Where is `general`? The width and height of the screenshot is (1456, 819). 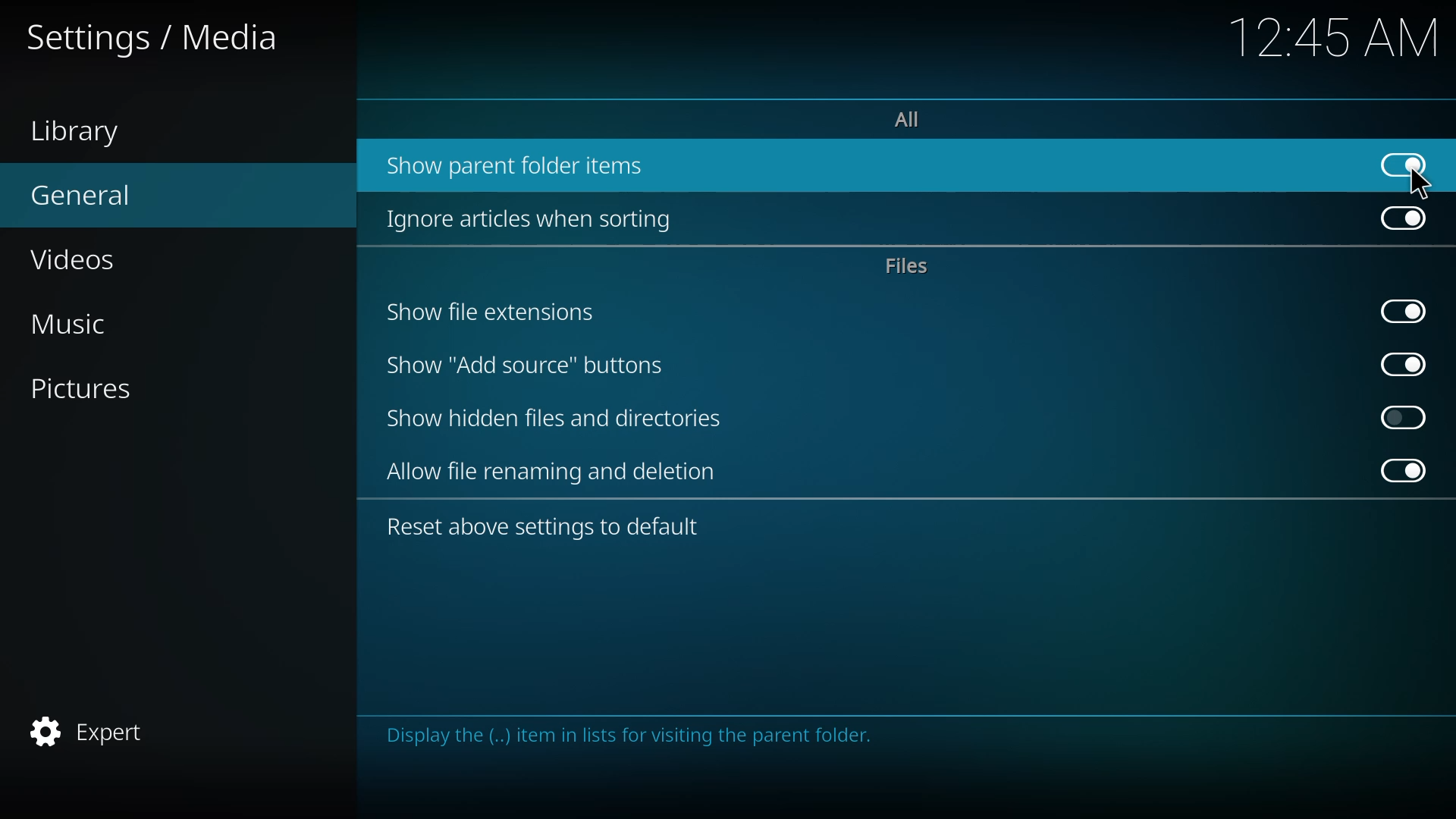
general is located at coordinates (89, 193).